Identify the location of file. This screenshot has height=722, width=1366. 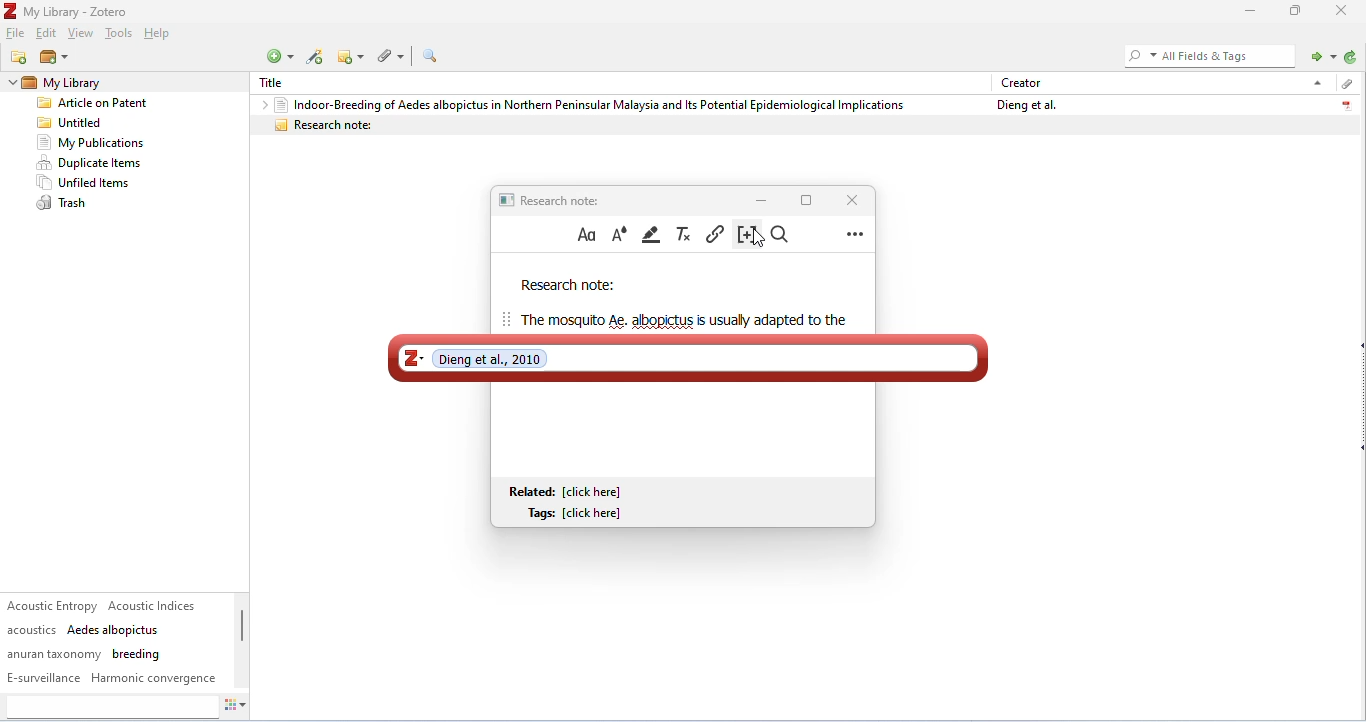
(17, 34).